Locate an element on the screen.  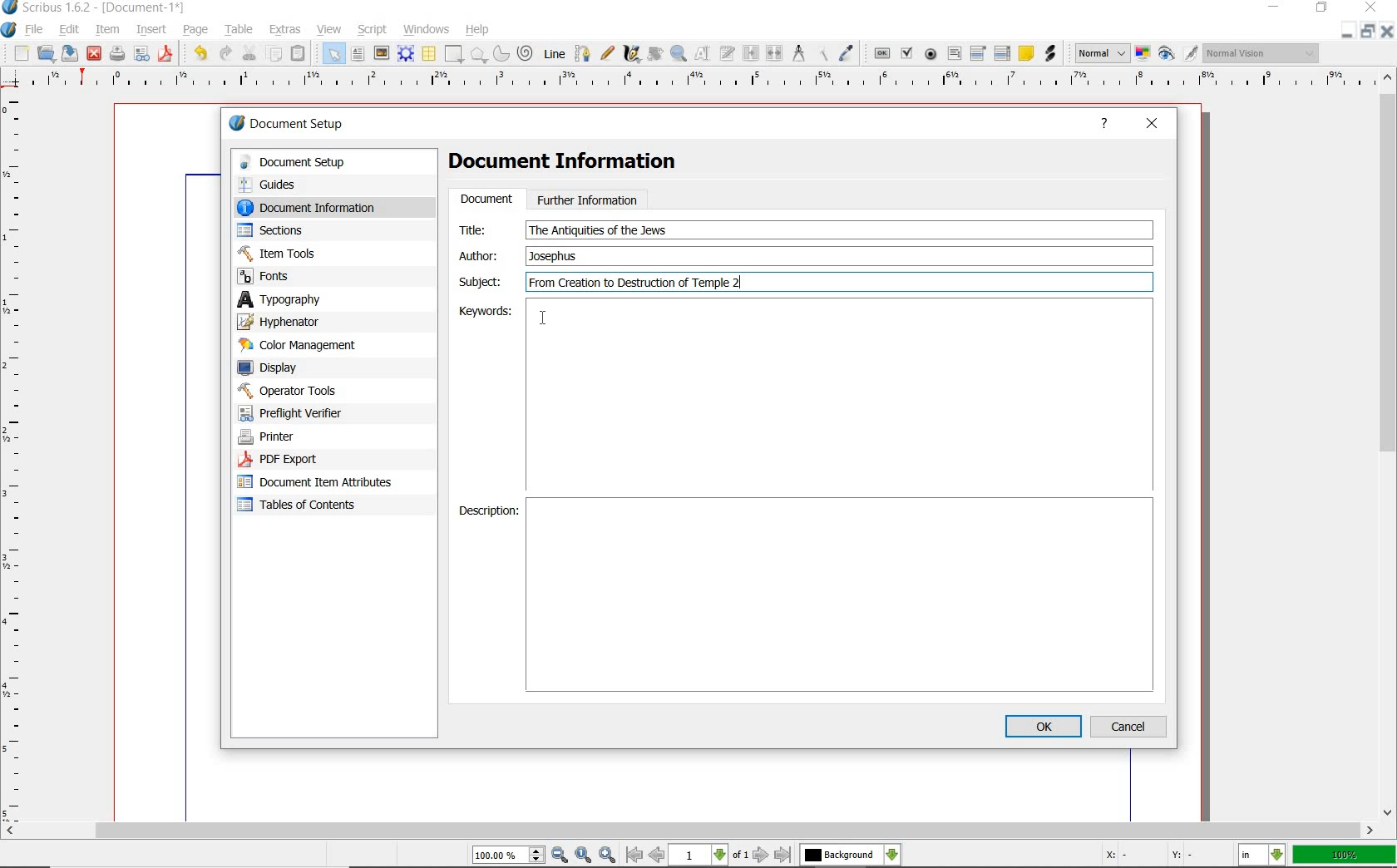
new is located at coordinates (20, 53).